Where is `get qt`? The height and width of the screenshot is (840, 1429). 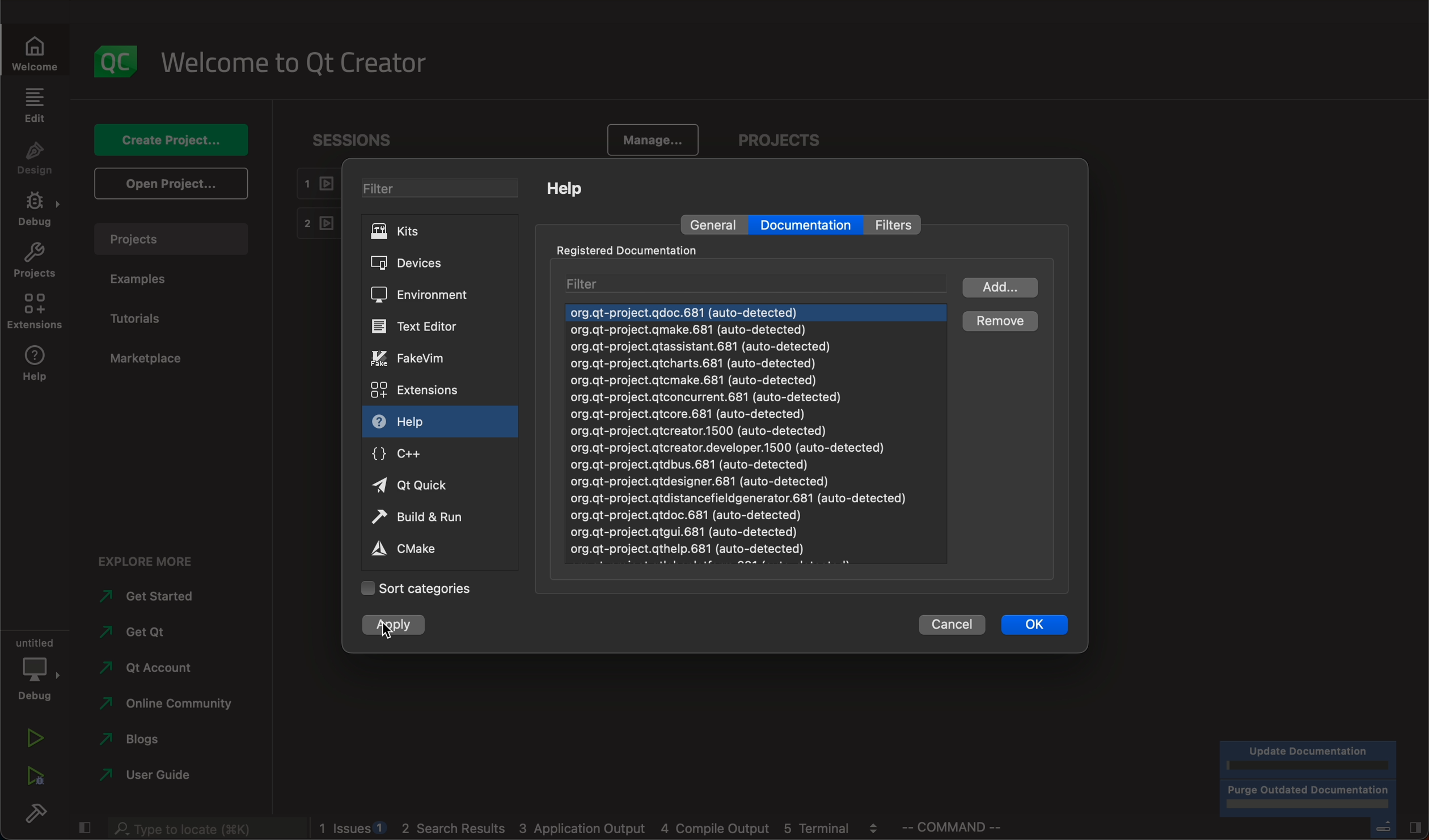
get qt is located at coordinates (150, 633).